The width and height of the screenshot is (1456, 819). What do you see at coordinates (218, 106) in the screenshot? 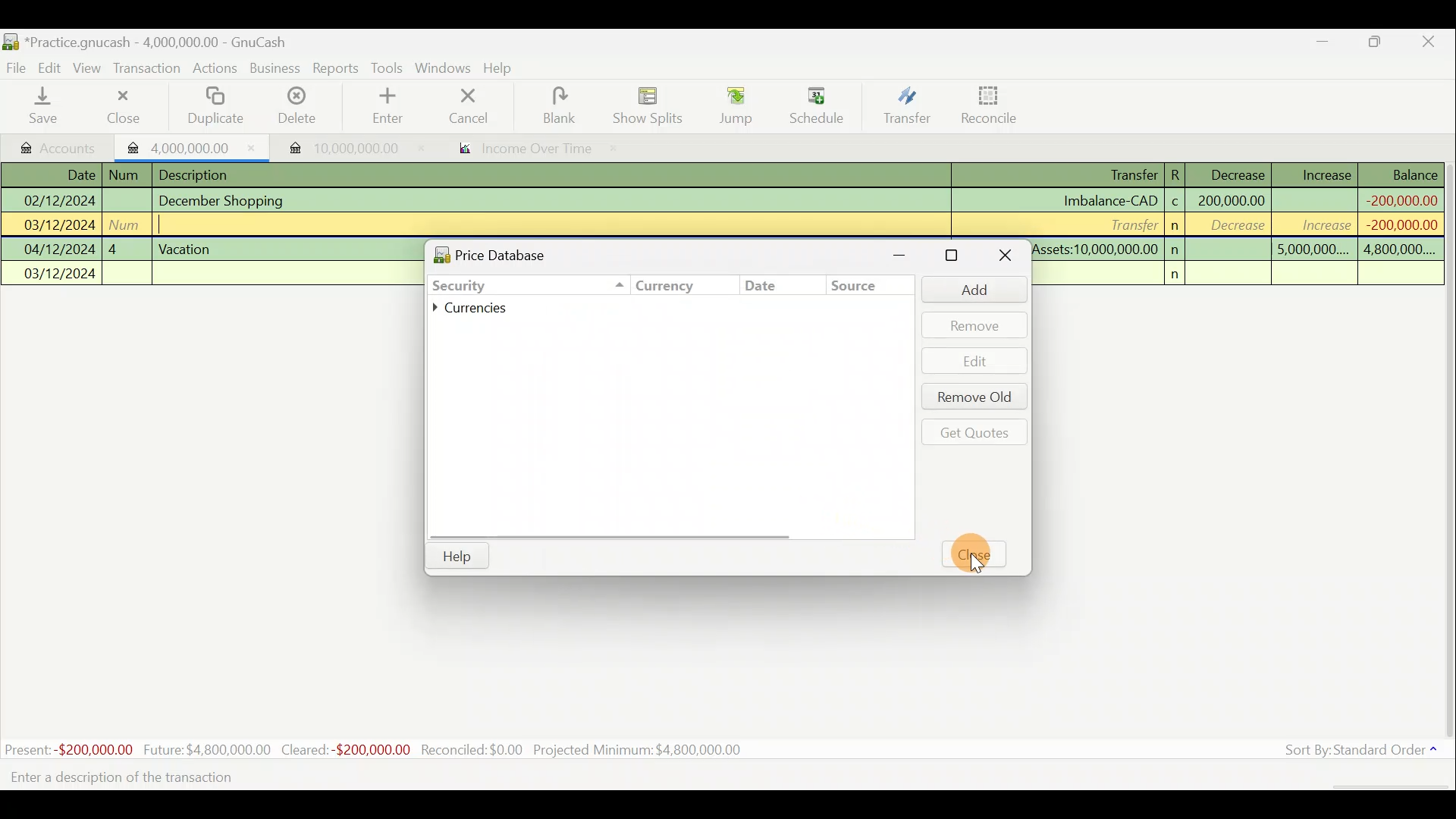
I see `Duplicate` at bounding box center [218, 106].